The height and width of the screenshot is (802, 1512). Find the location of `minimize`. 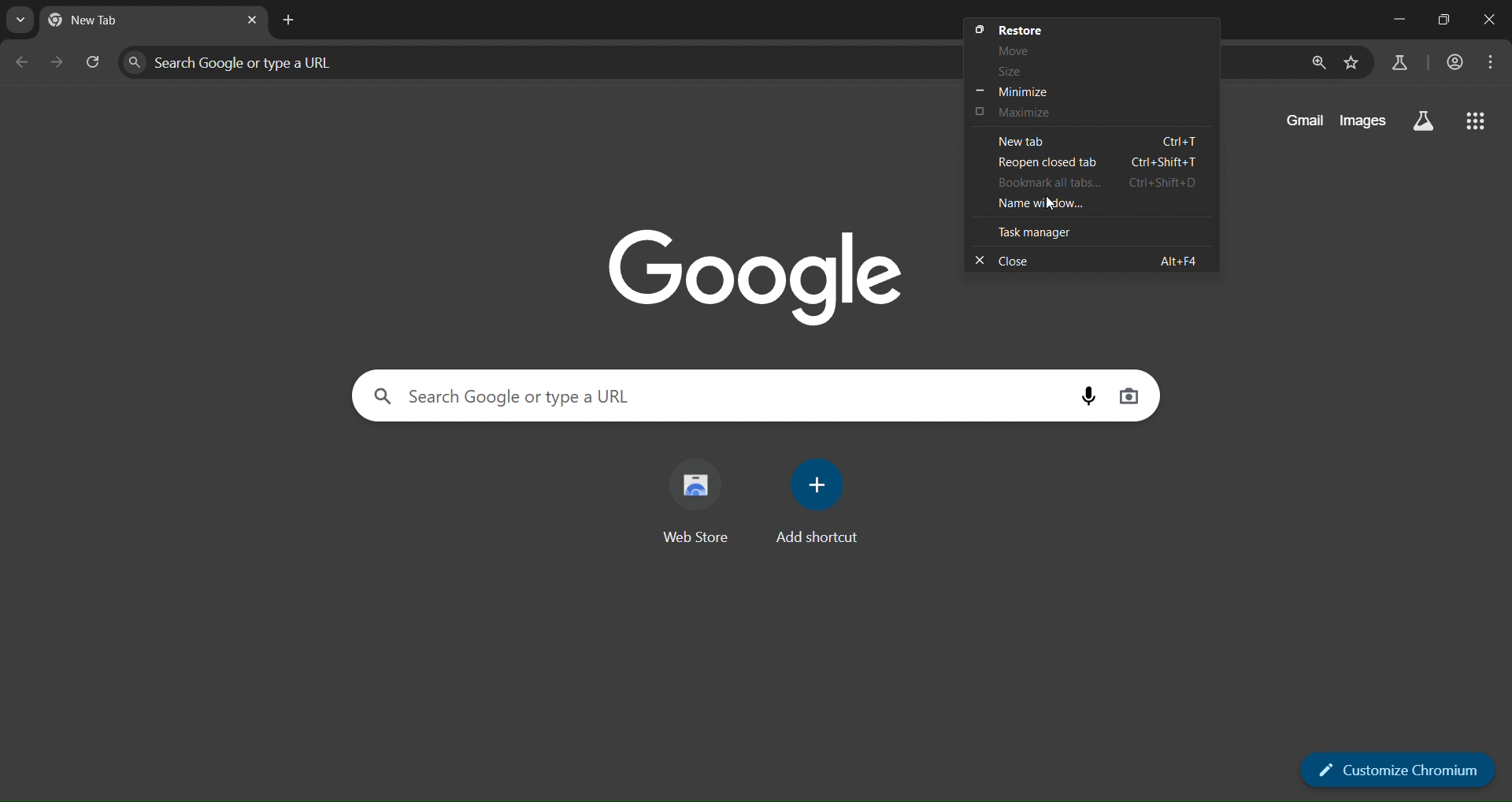

minimize is located at coordinates (1017, 91).